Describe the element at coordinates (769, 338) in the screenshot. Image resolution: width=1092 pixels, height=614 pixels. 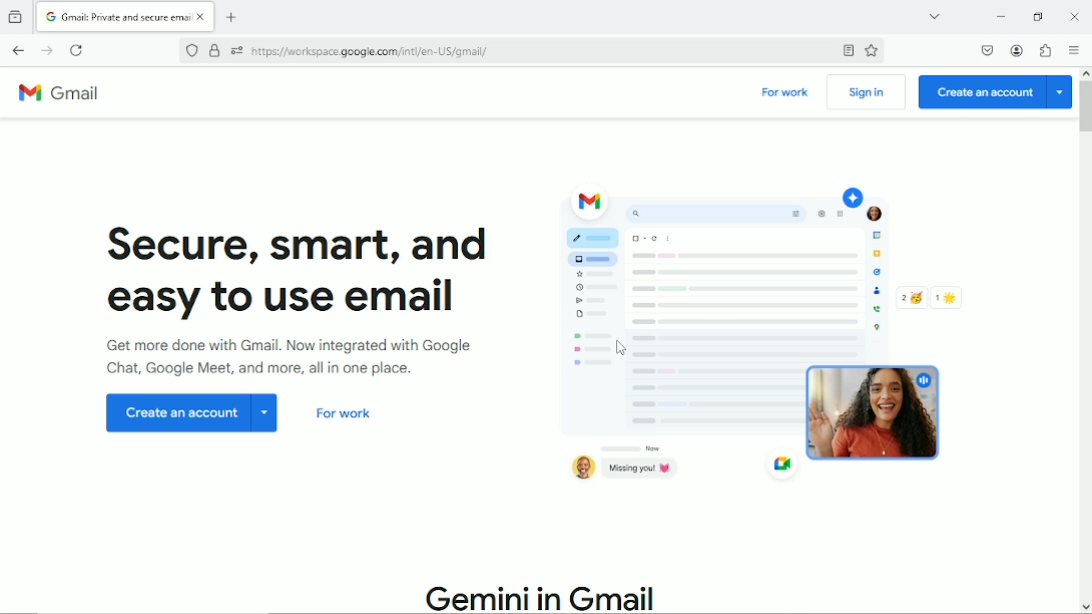
I see `Graphics` at that location.